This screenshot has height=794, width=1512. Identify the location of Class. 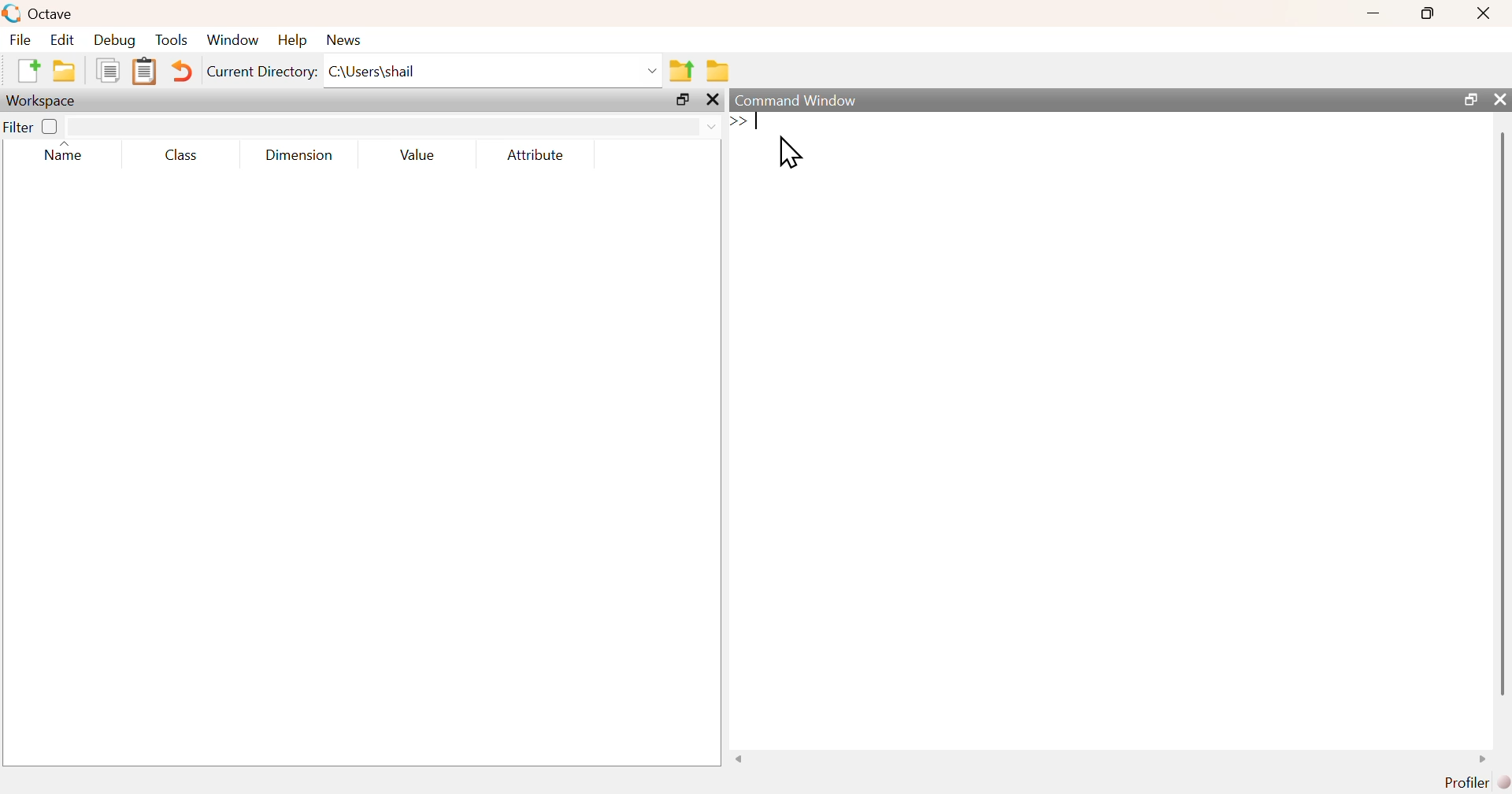
(181, 154).